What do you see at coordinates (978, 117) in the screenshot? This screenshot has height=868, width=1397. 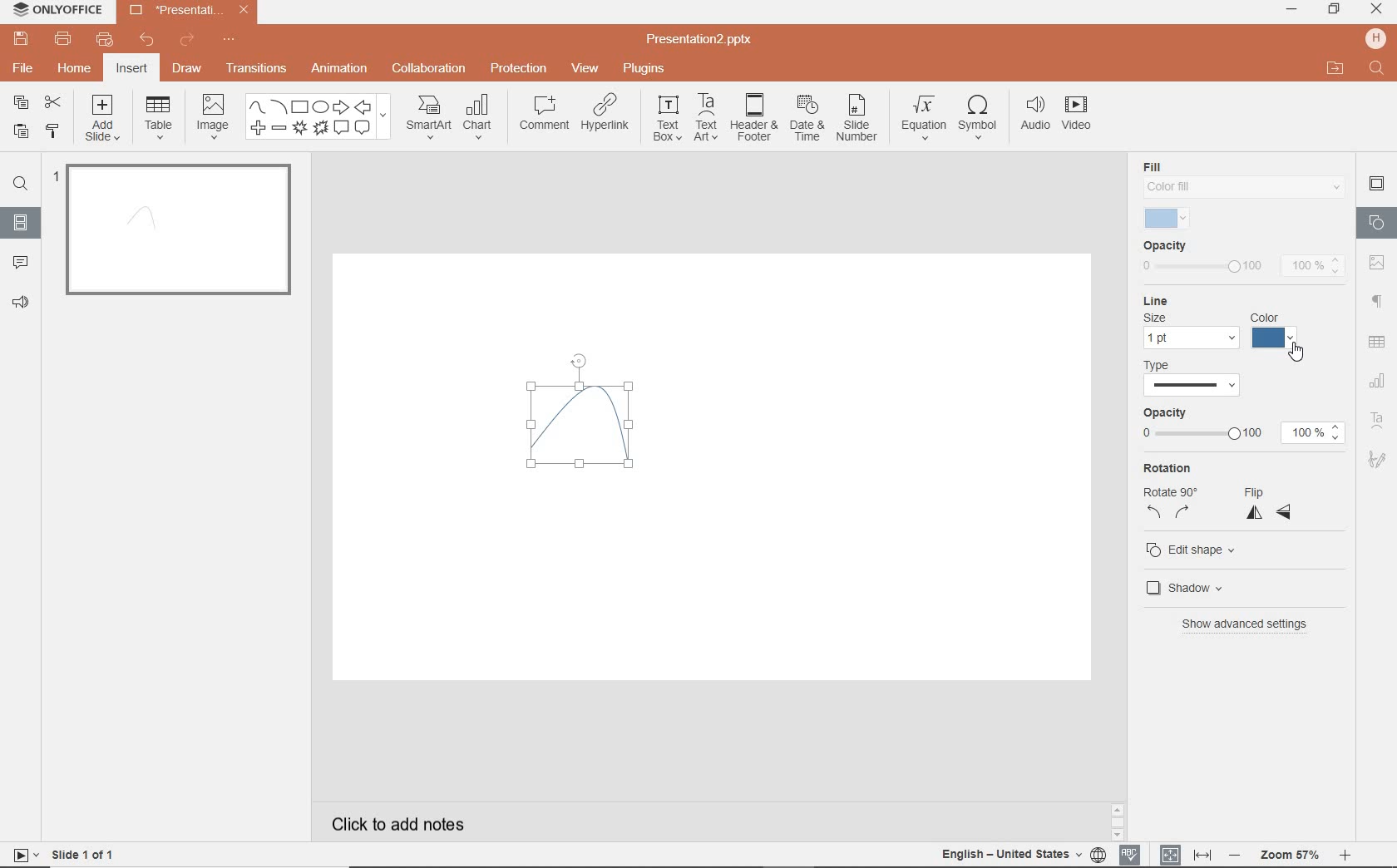 I see `SYMBOL` at bounding box center [978, 117].